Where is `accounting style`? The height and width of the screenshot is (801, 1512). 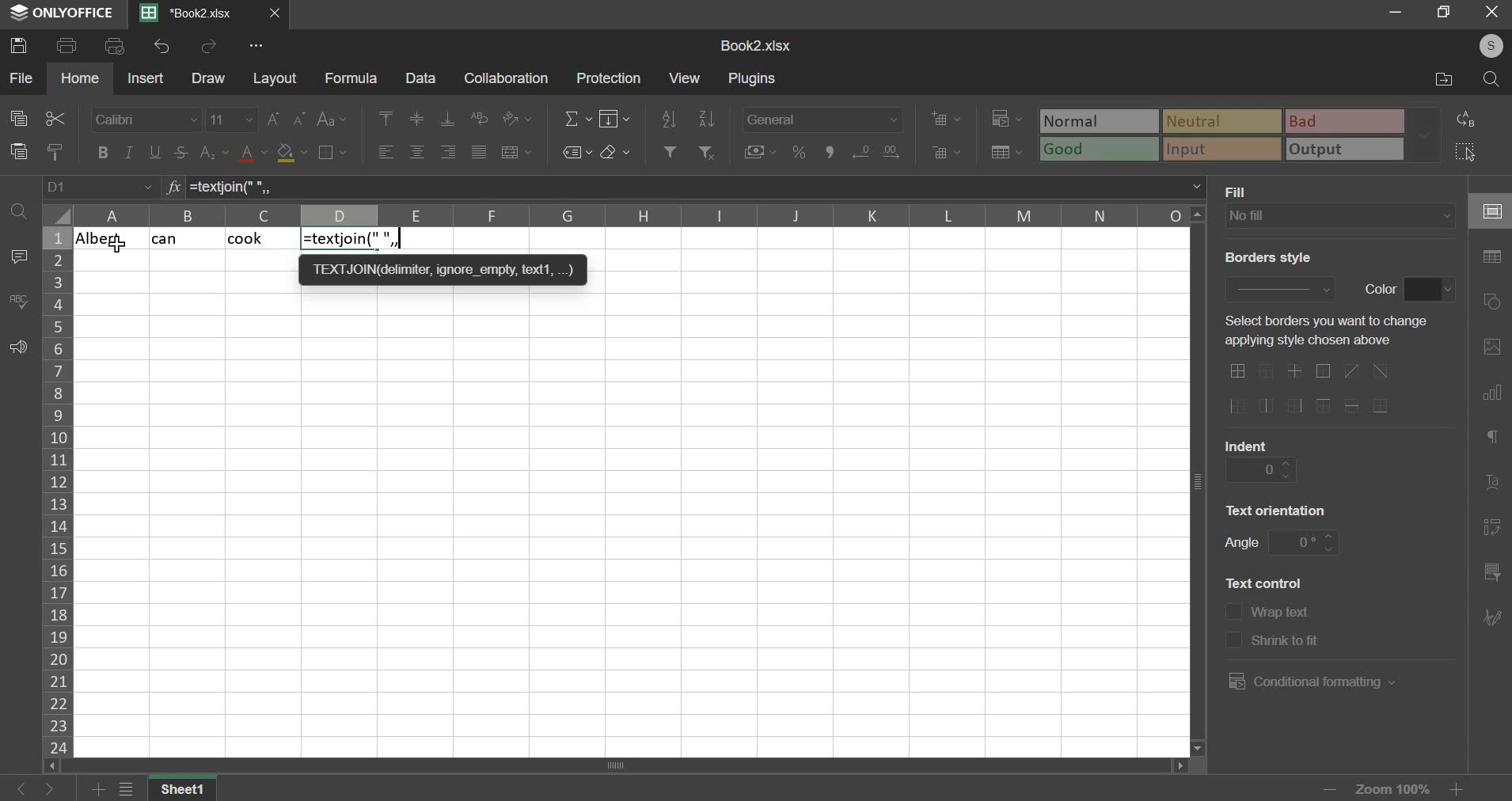 accounting style is located at coordinates (761, 151).